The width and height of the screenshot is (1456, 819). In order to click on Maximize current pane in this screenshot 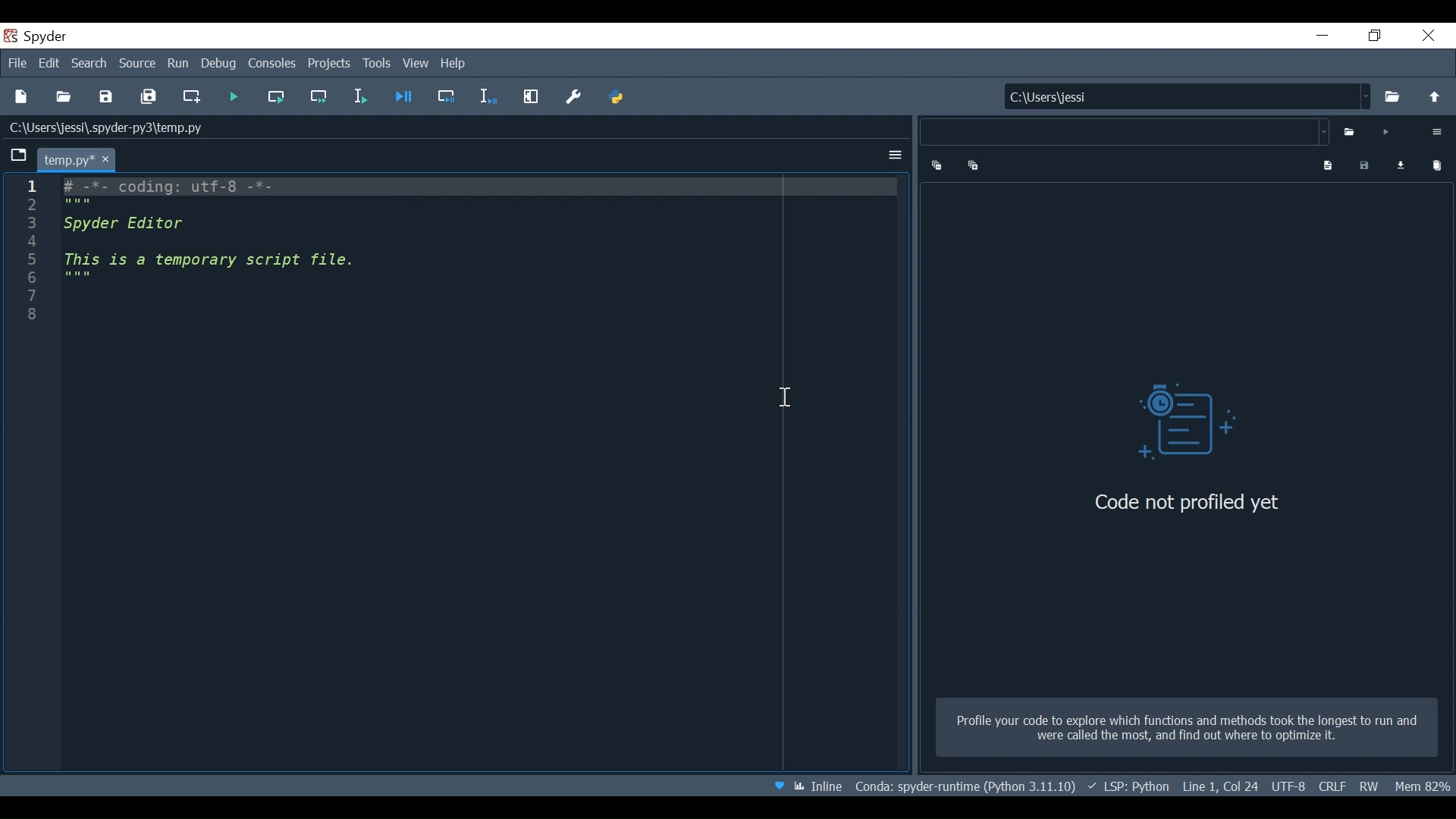, I will do `click(531, 96)`.